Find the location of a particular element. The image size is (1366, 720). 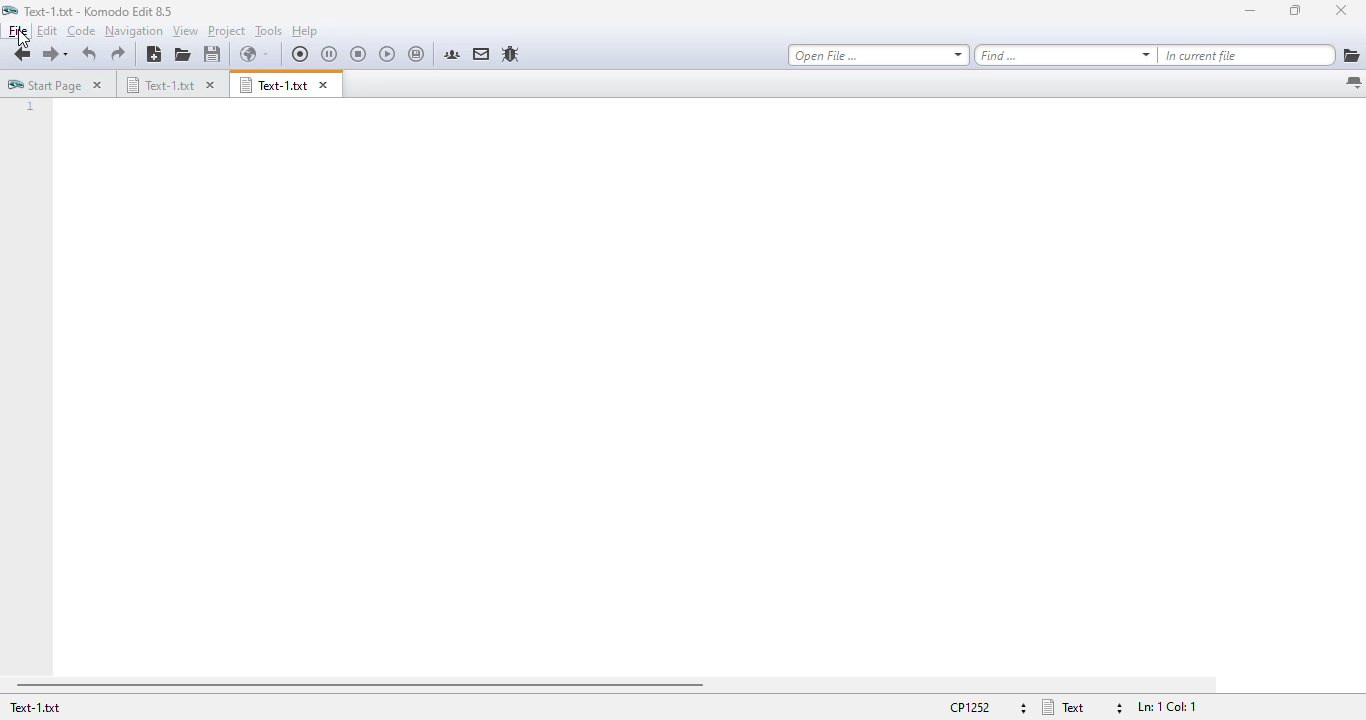

edit is located at coordinates (46, 30).